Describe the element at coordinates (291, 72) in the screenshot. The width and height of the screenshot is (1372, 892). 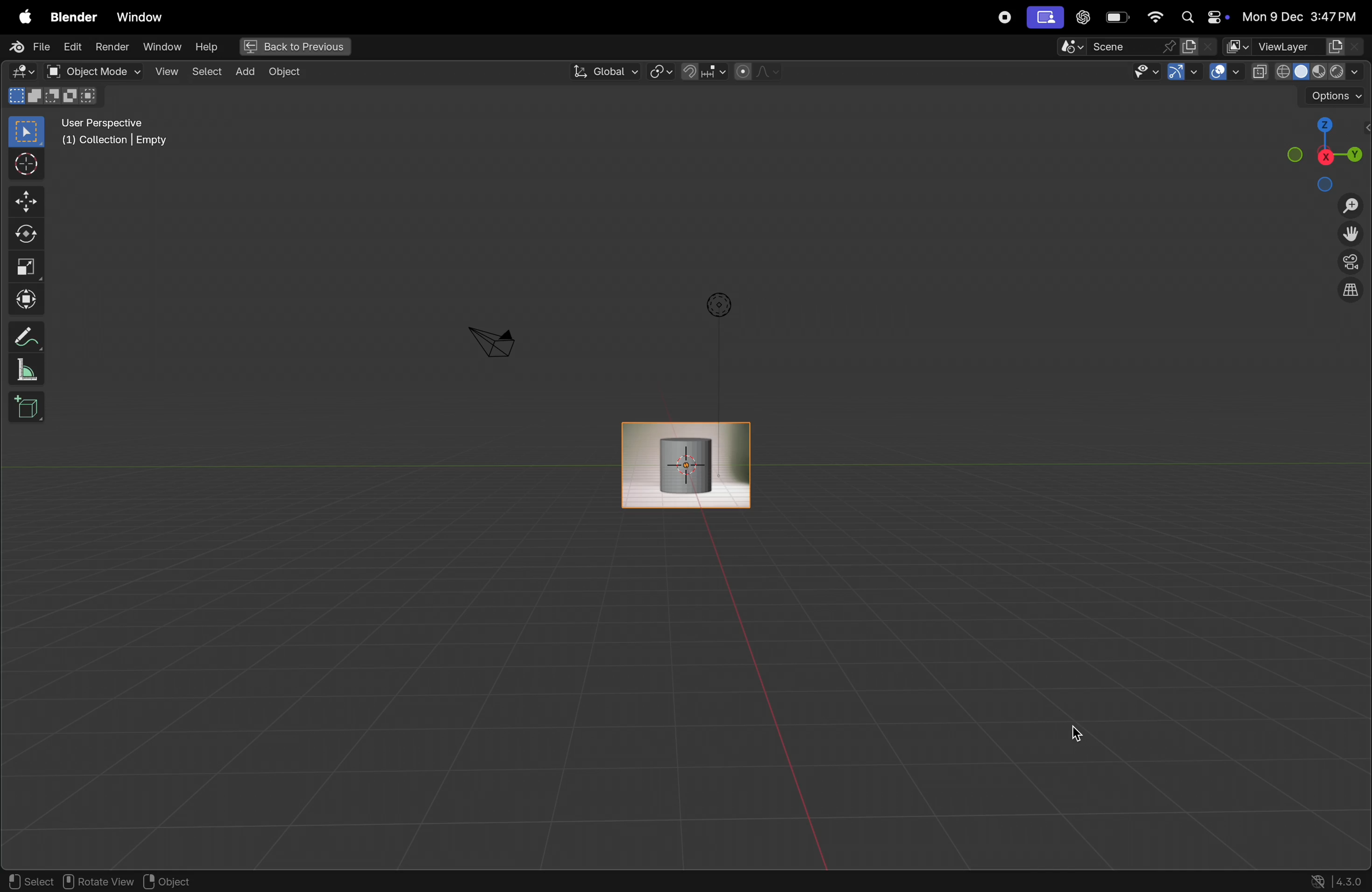
I see `Object` at that location.